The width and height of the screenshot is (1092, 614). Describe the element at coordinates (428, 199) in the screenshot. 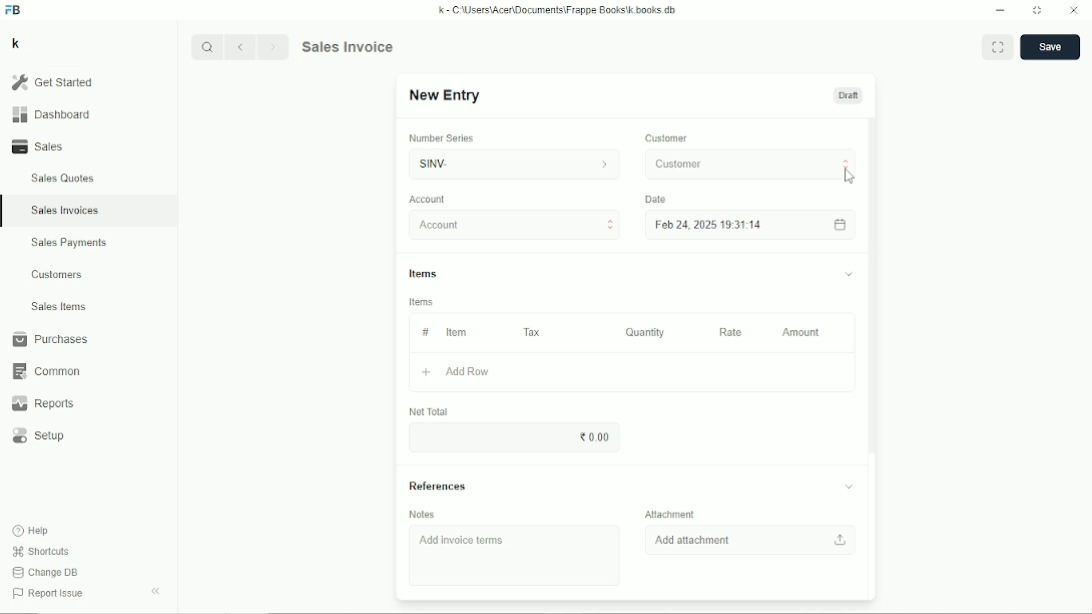

I see `Account` at that location.